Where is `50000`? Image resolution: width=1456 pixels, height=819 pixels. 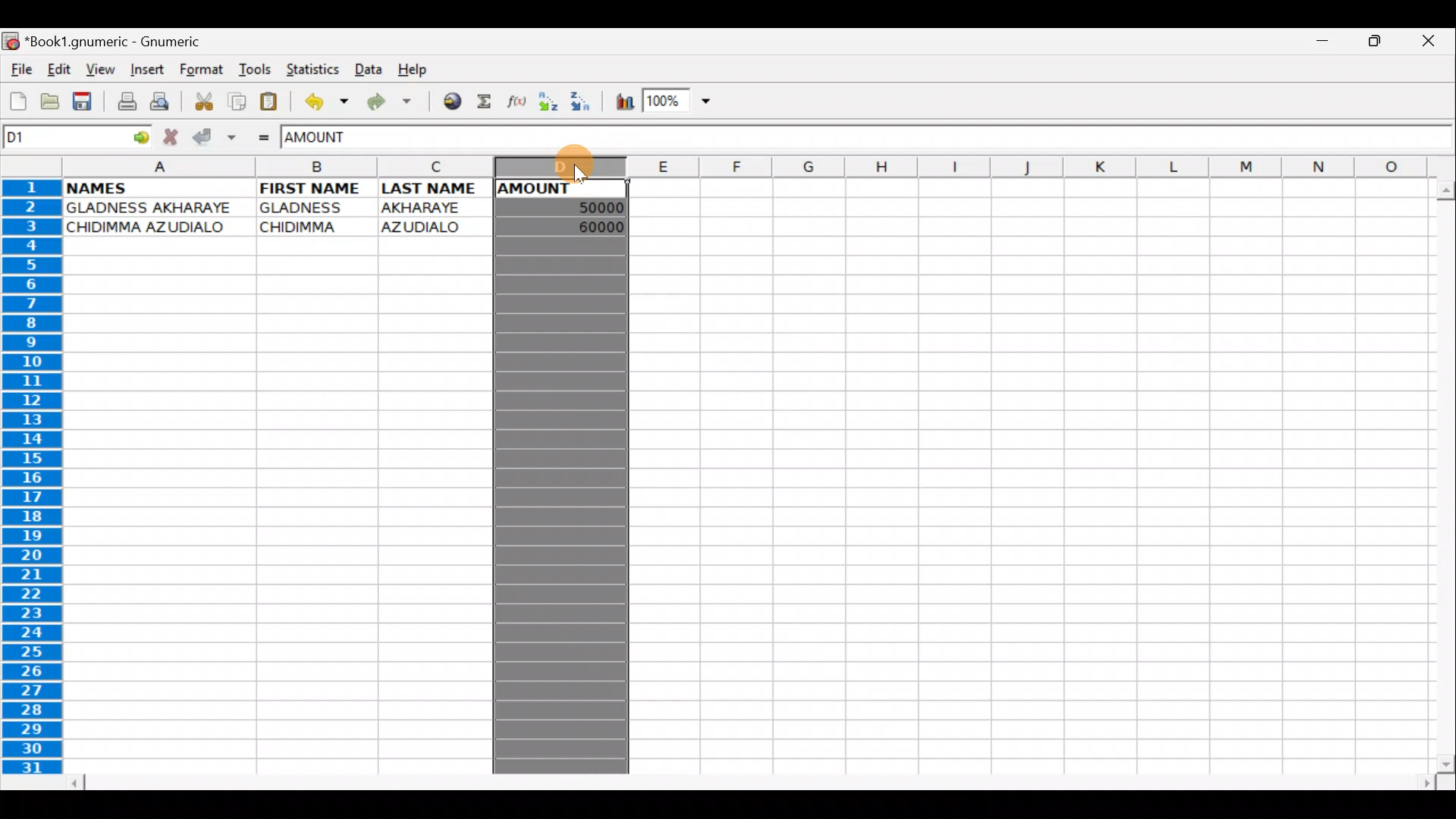
50000 is located at coordinates (579, 206).